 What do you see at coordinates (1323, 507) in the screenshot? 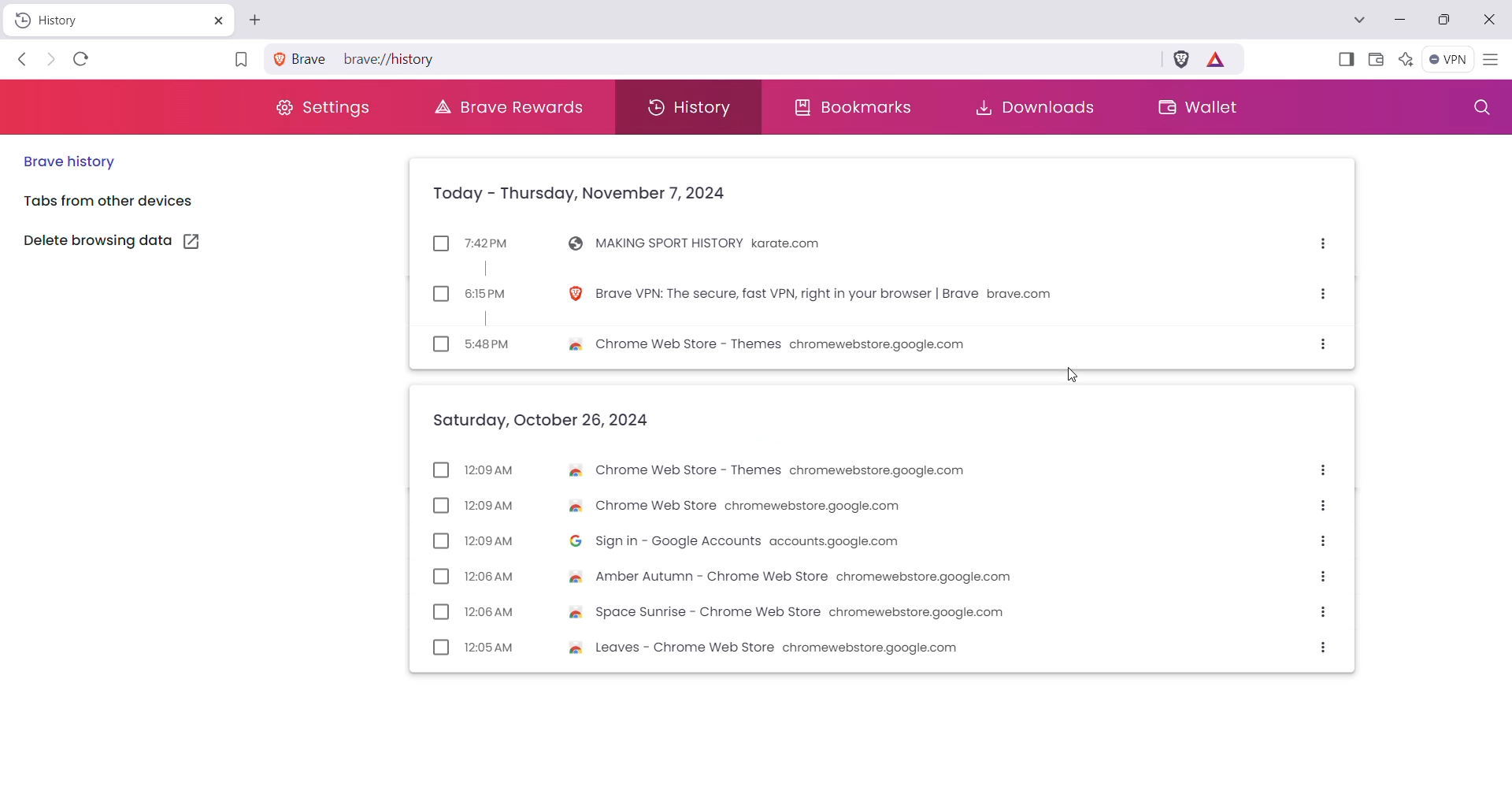
I see `More options` at bounding box center [1323, 507].